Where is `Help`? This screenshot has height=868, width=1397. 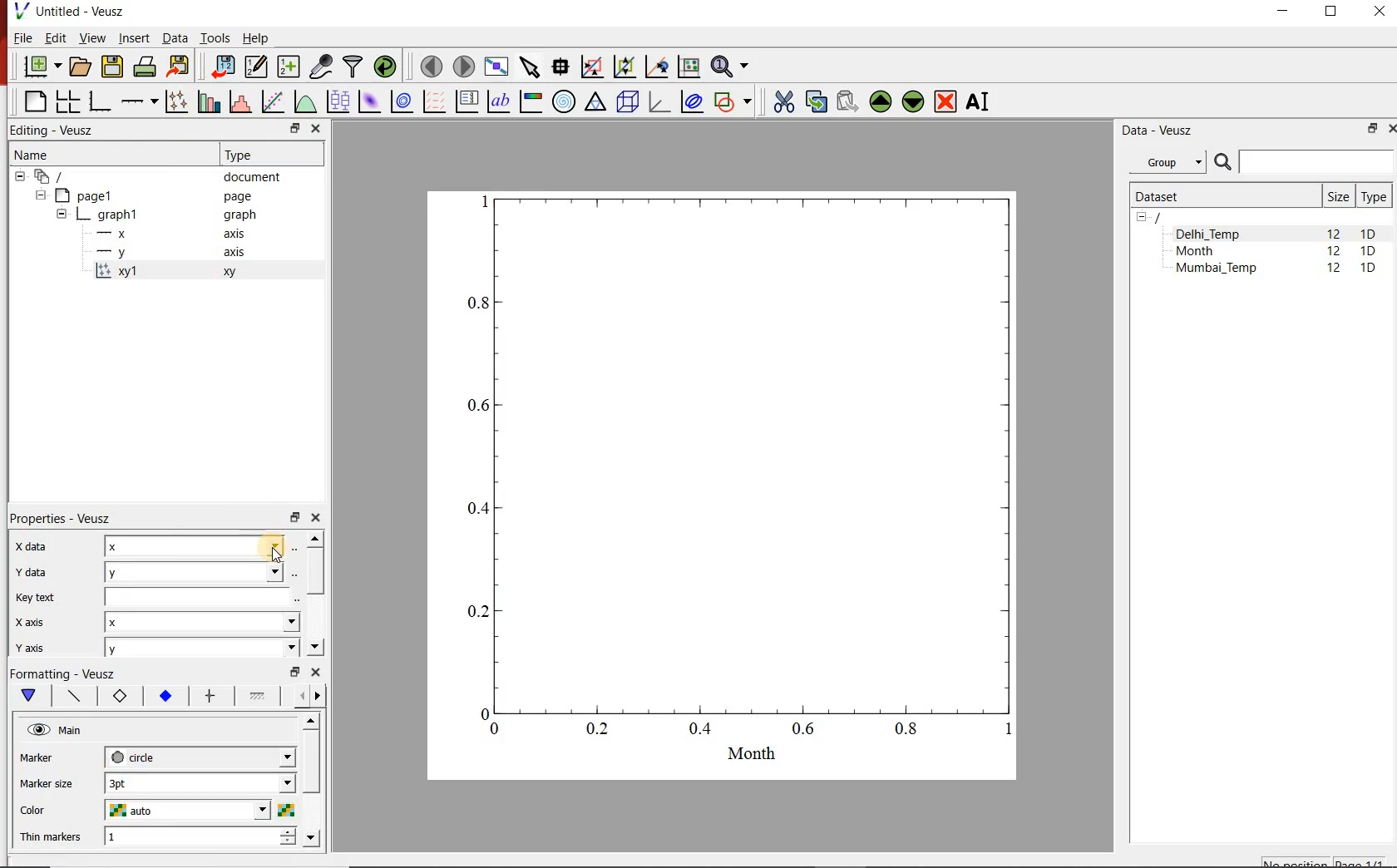 Help is located at coordinates (256, 37).